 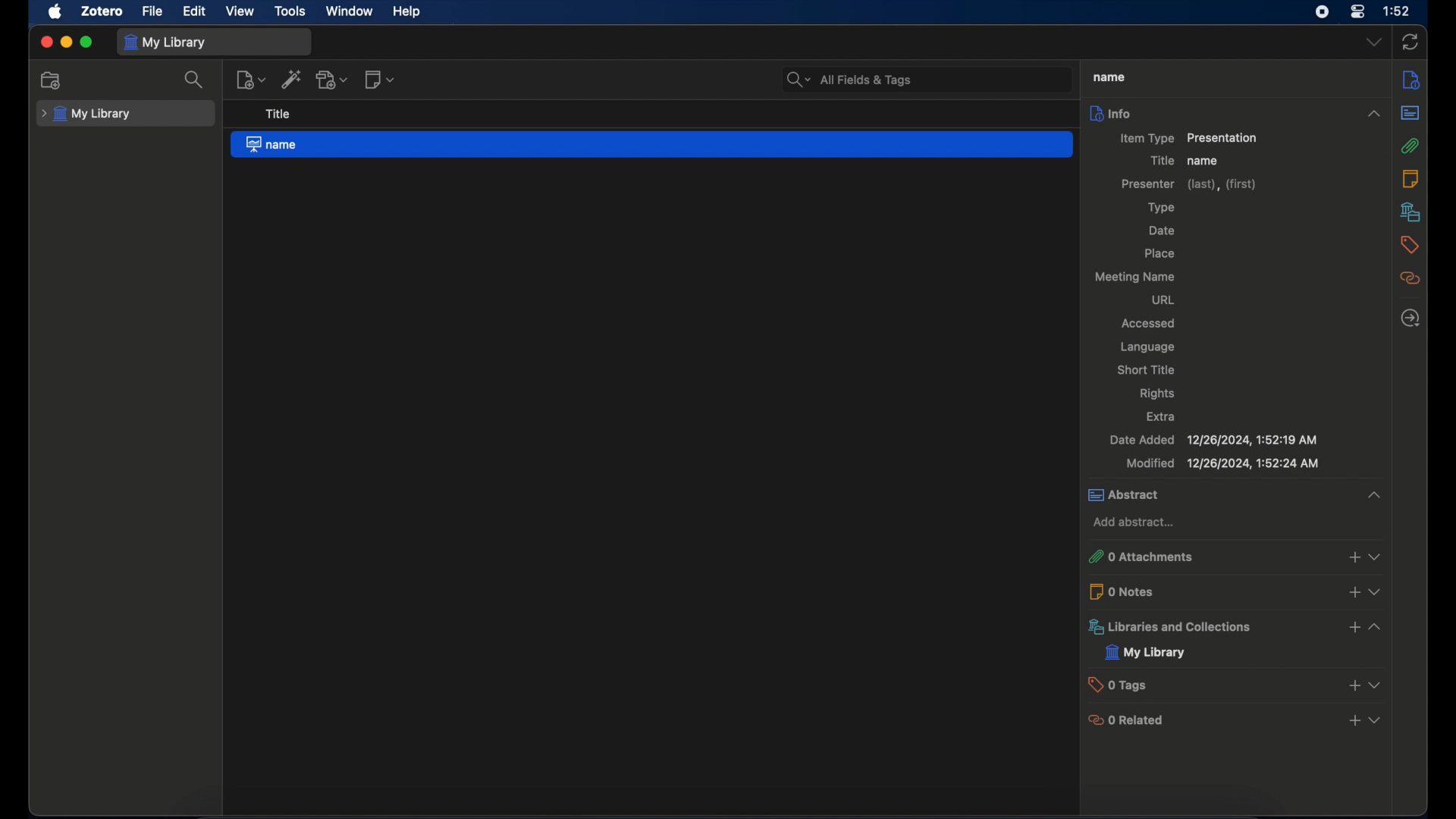 I want to click on language, so click(x=1147, y=347).